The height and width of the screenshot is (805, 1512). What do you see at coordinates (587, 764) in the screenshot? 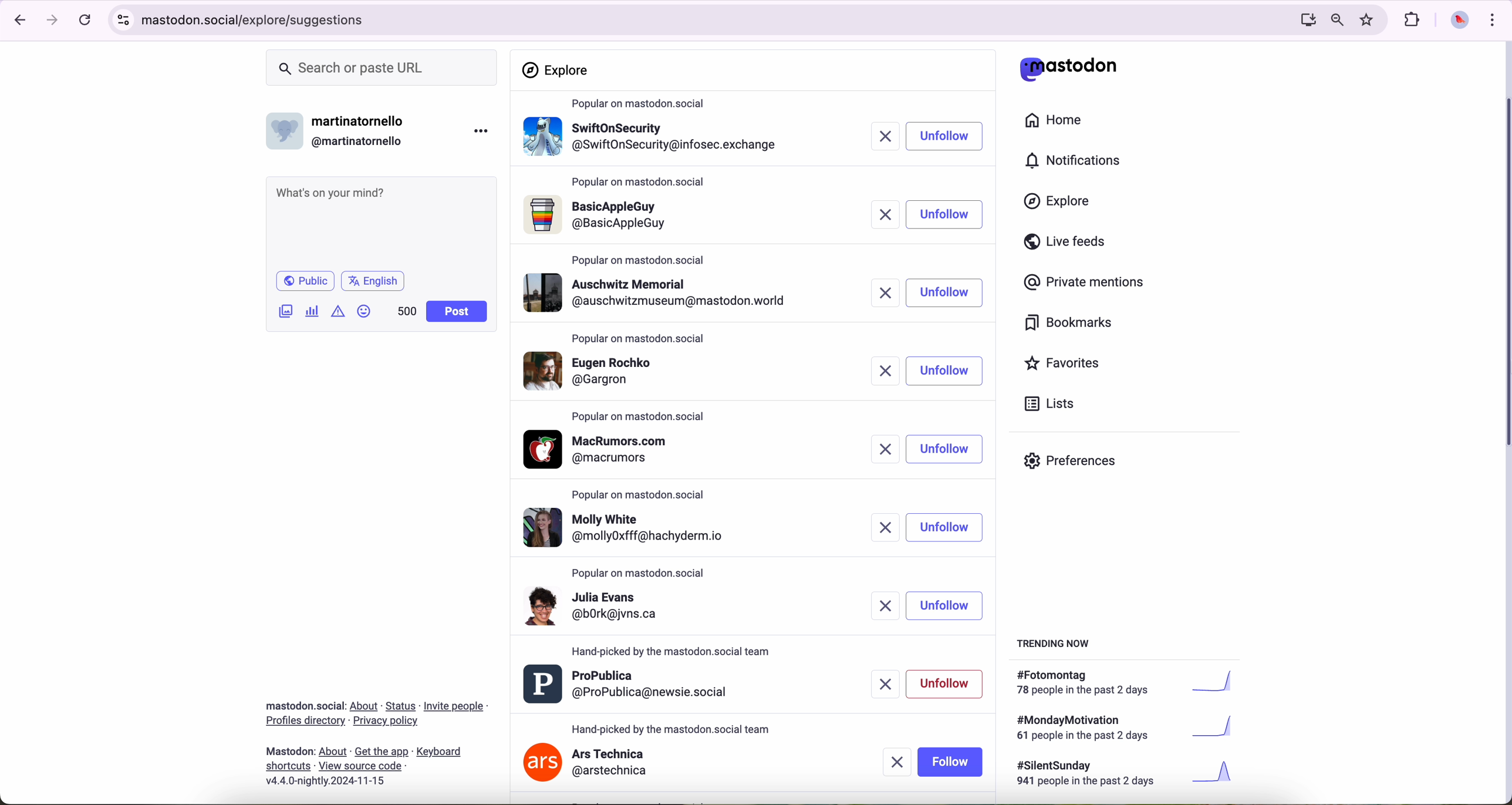
I see `ars technica profile` at bounding box center [587, 764].